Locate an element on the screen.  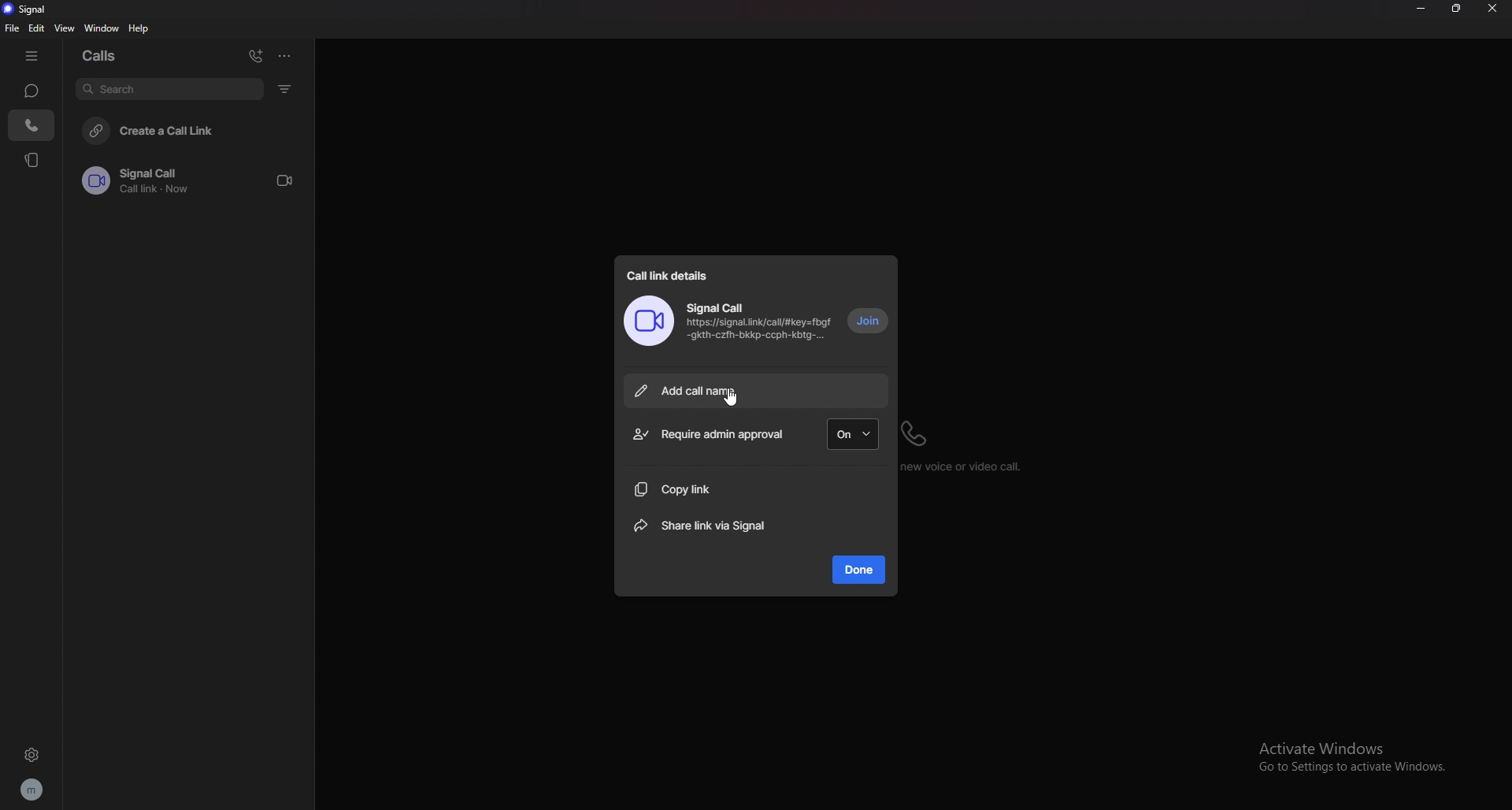
file is located at coordinates (13, 28).